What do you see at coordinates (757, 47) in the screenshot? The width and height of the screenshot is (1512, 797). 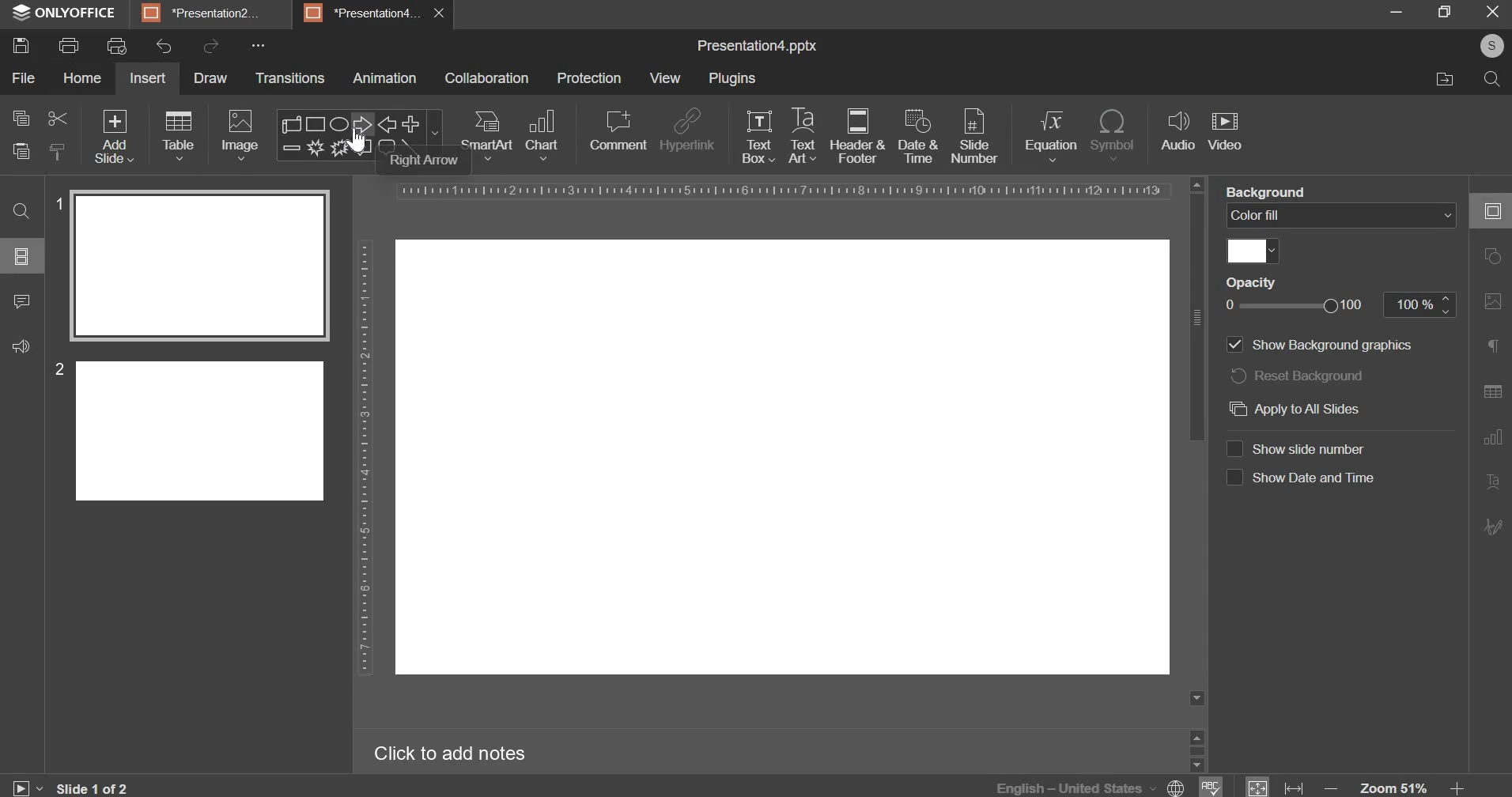 I see `presentation name` at bounding box center [757, 47].